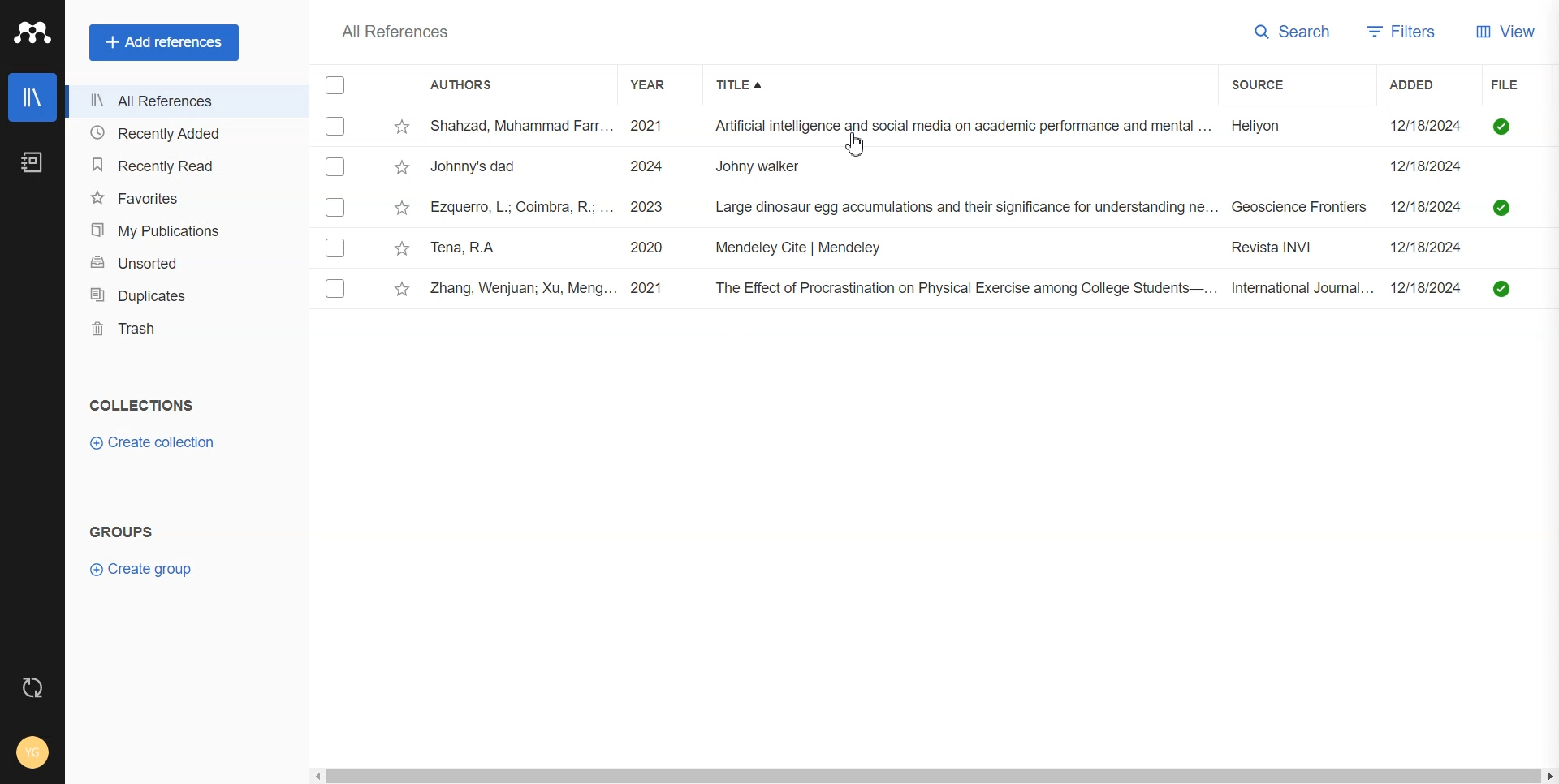  What do you see at coordinates (175, 295) in the screenshot?
I see `Duplicates` at bounding box center [175, 295].